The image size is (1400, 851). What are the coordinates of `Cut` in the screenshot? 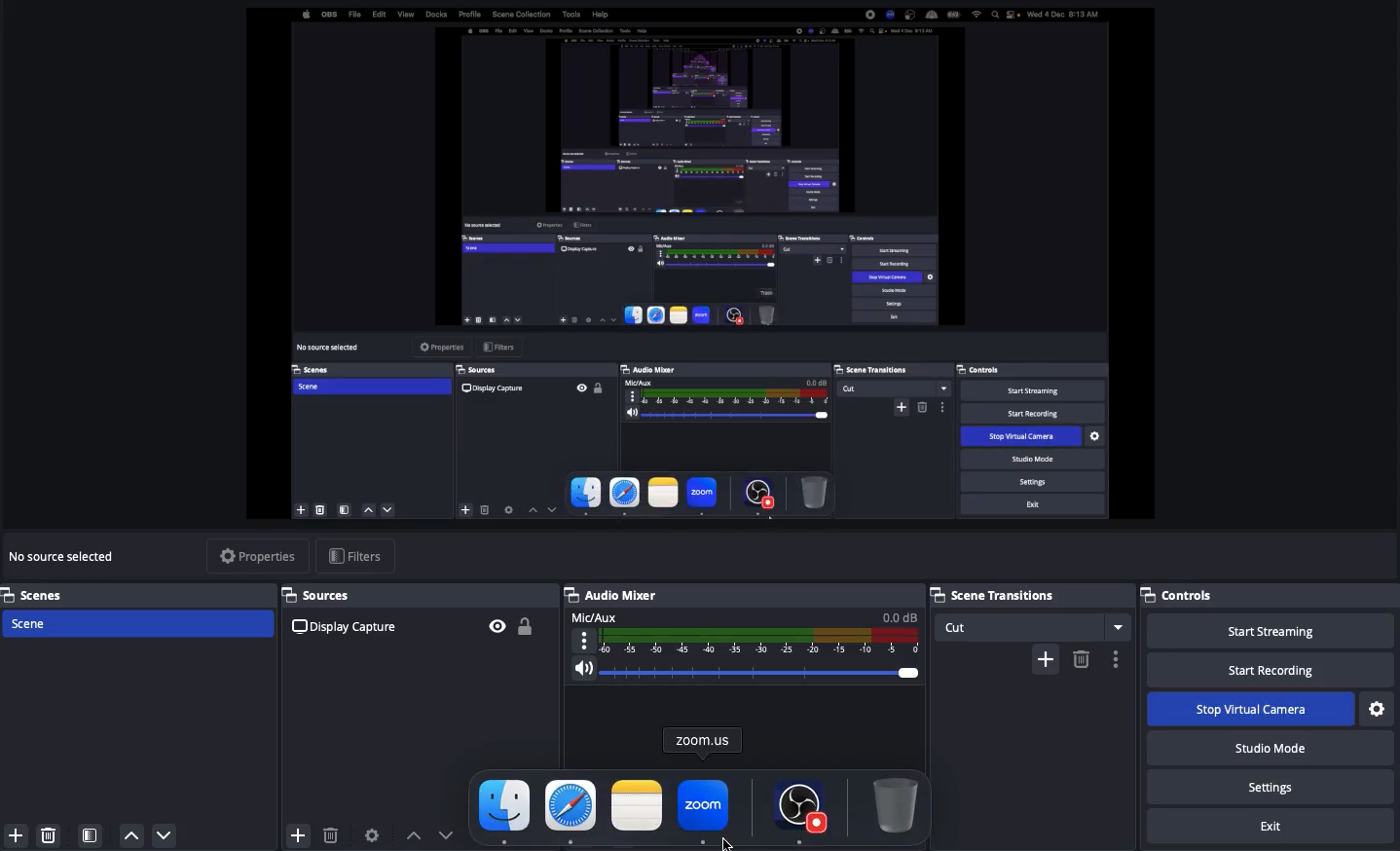 It's located at (1033, 624).